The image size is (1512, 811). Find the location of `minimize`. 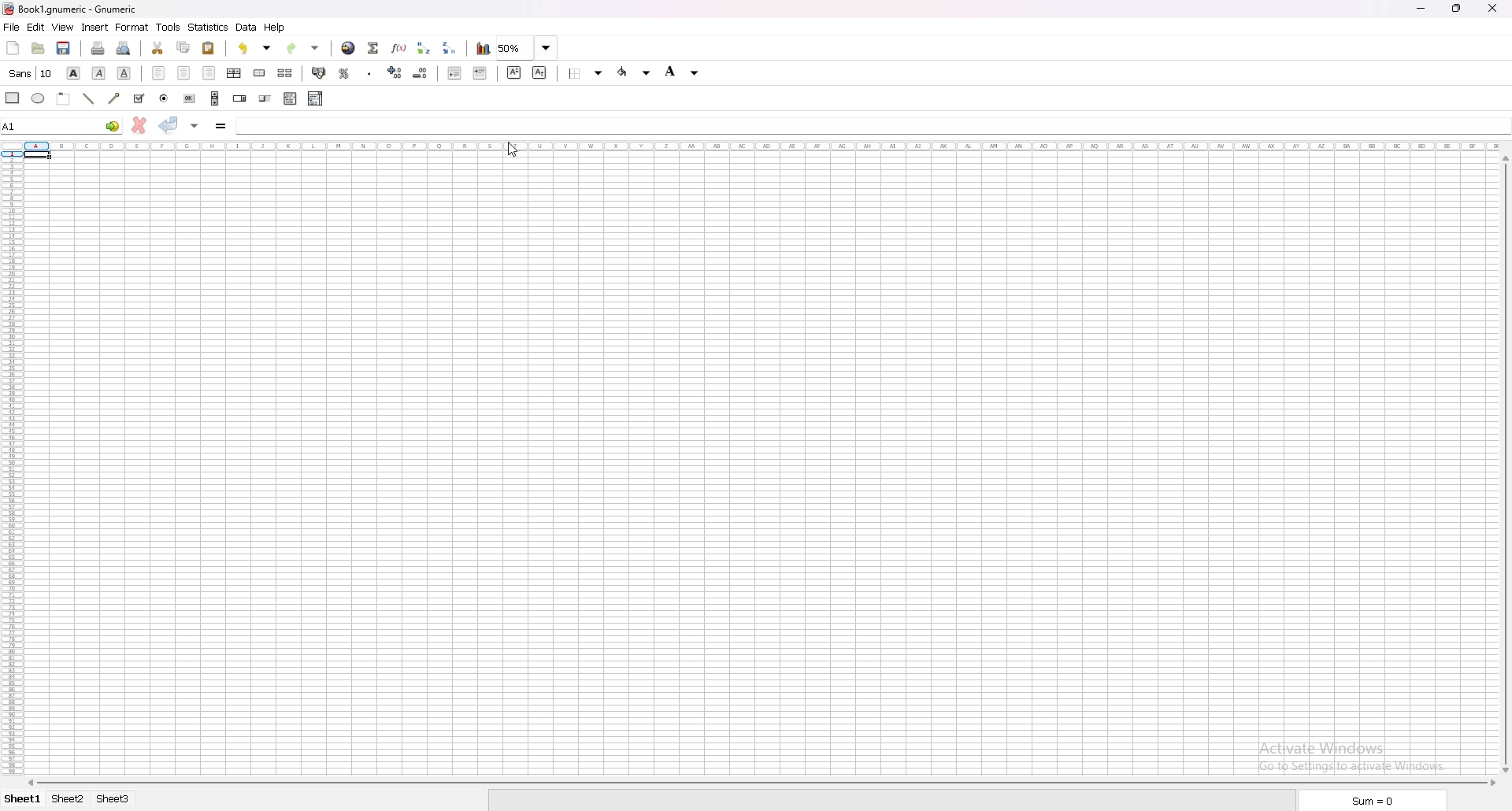

minimize is located at coordinates (1421, 9).